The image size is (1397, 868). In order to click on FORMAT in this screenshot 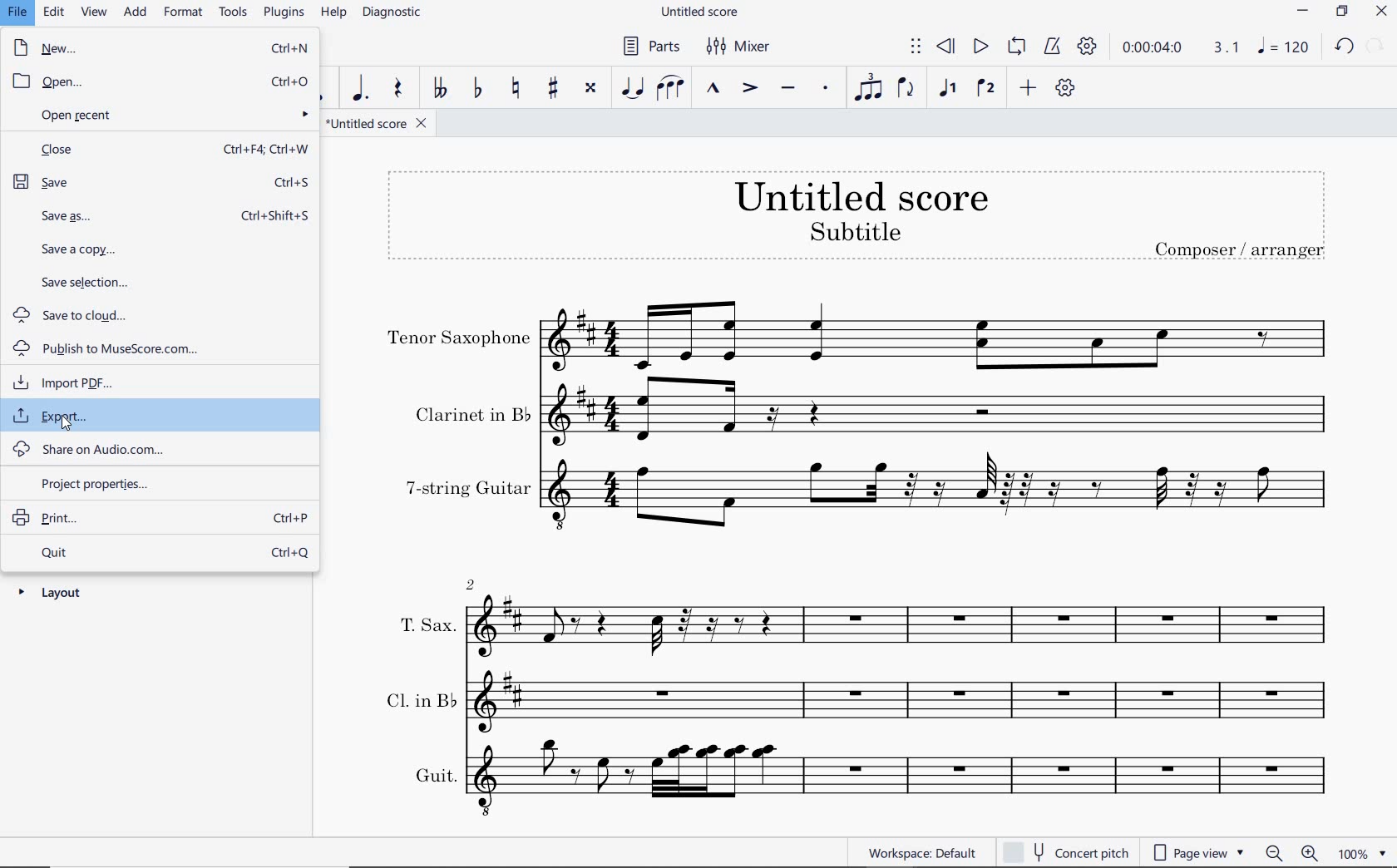, I will do `click(184, 12)`.